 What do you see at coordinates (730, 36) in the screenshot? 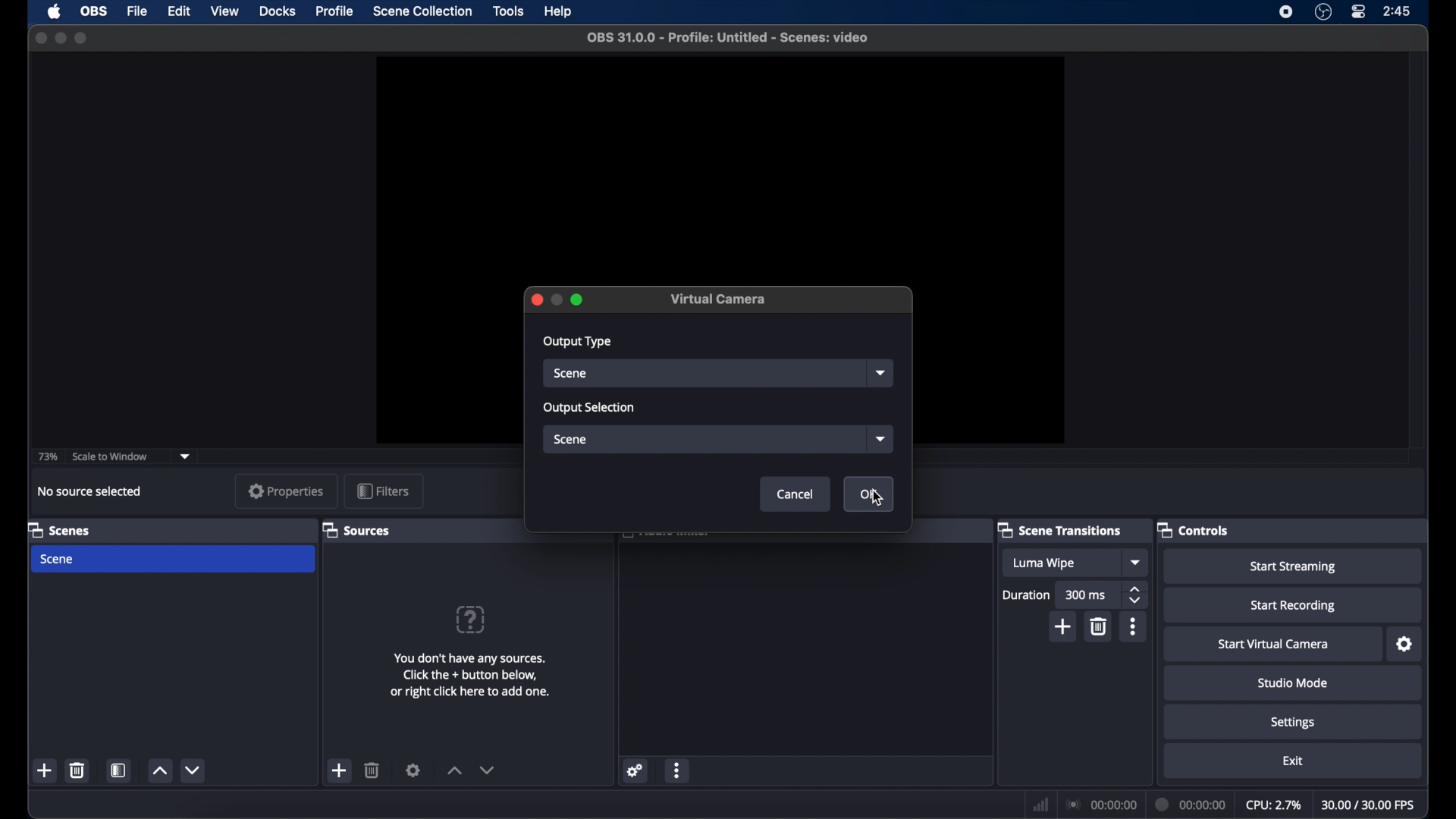
I see `file name` at bounding box center [730, 36].